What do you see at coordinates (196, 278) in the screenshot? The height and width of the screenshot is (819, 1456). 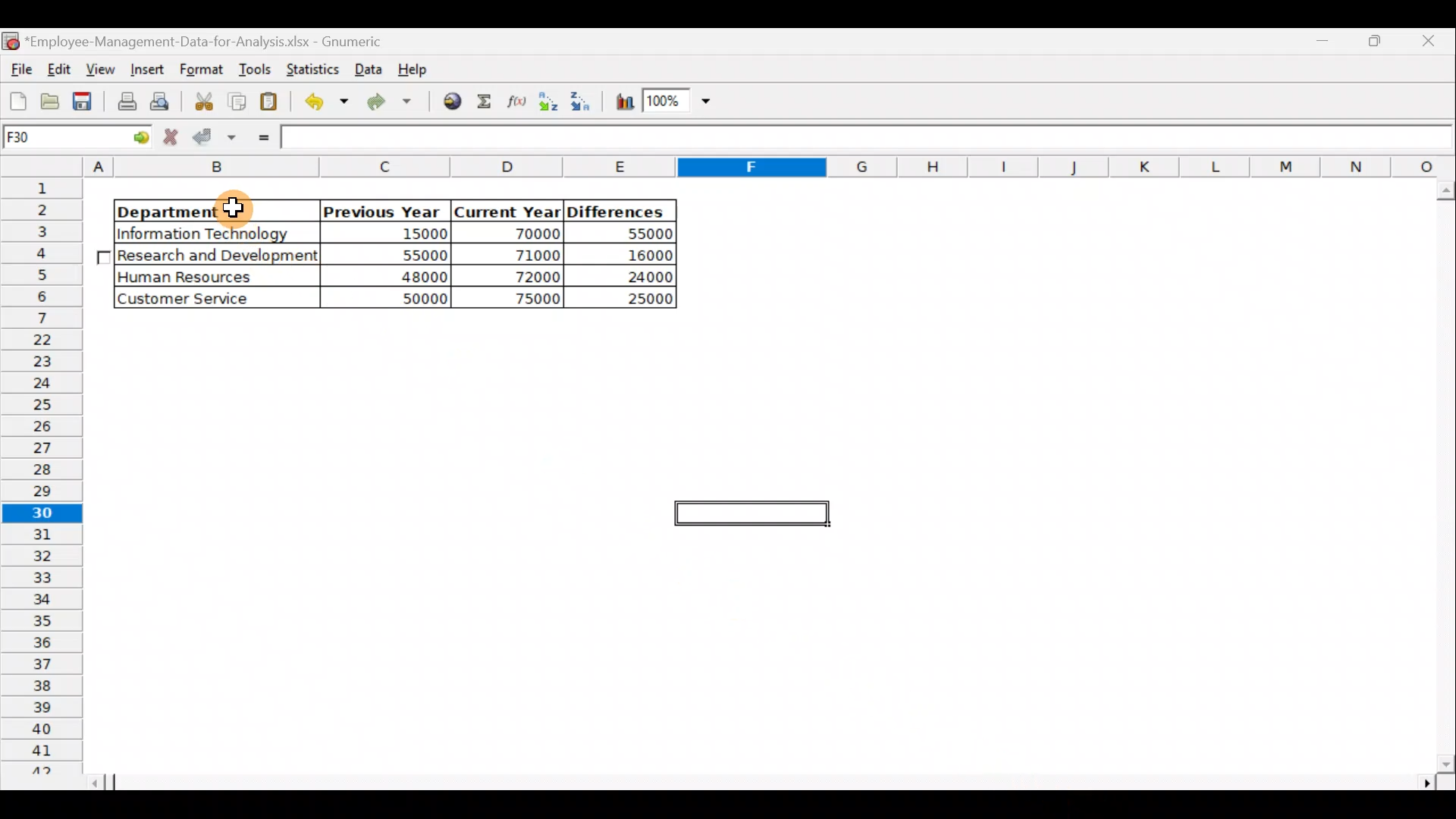 I see `Human Resources` at bounding box center [196, 278].